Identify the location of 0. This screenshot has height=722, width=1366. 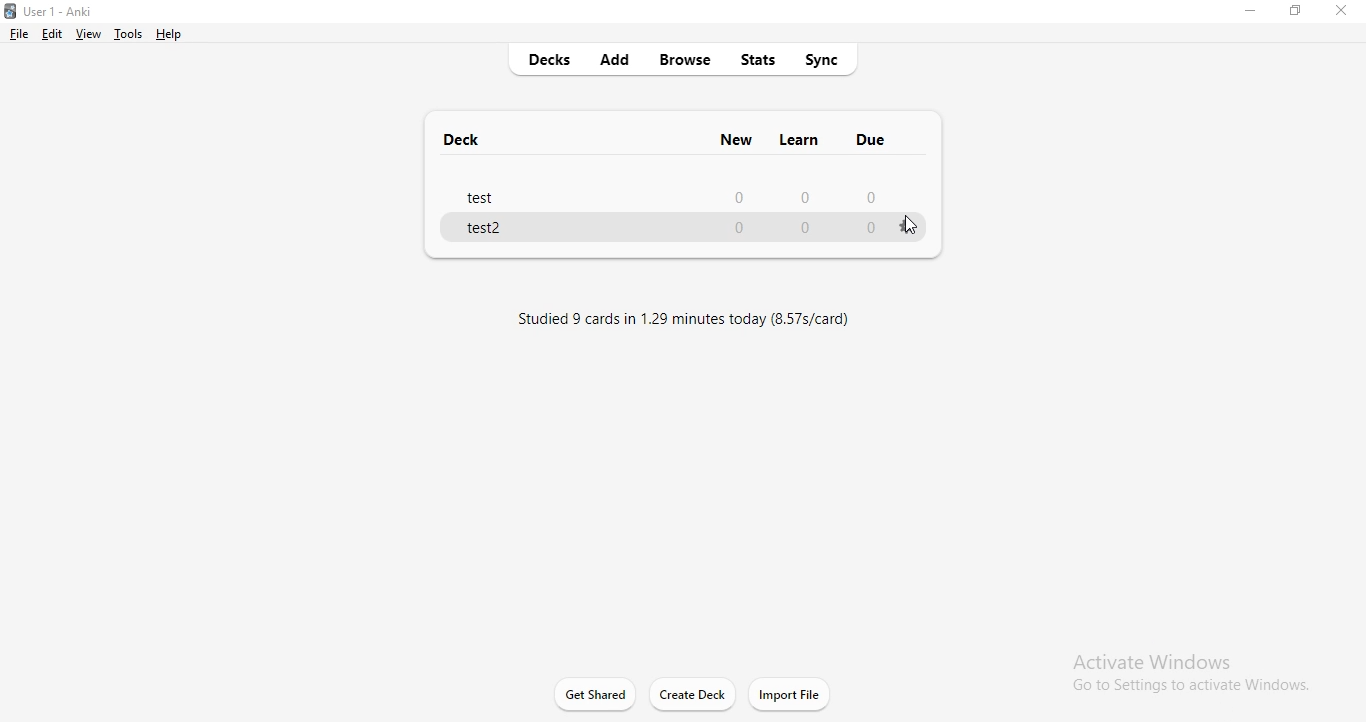
(874, 194).